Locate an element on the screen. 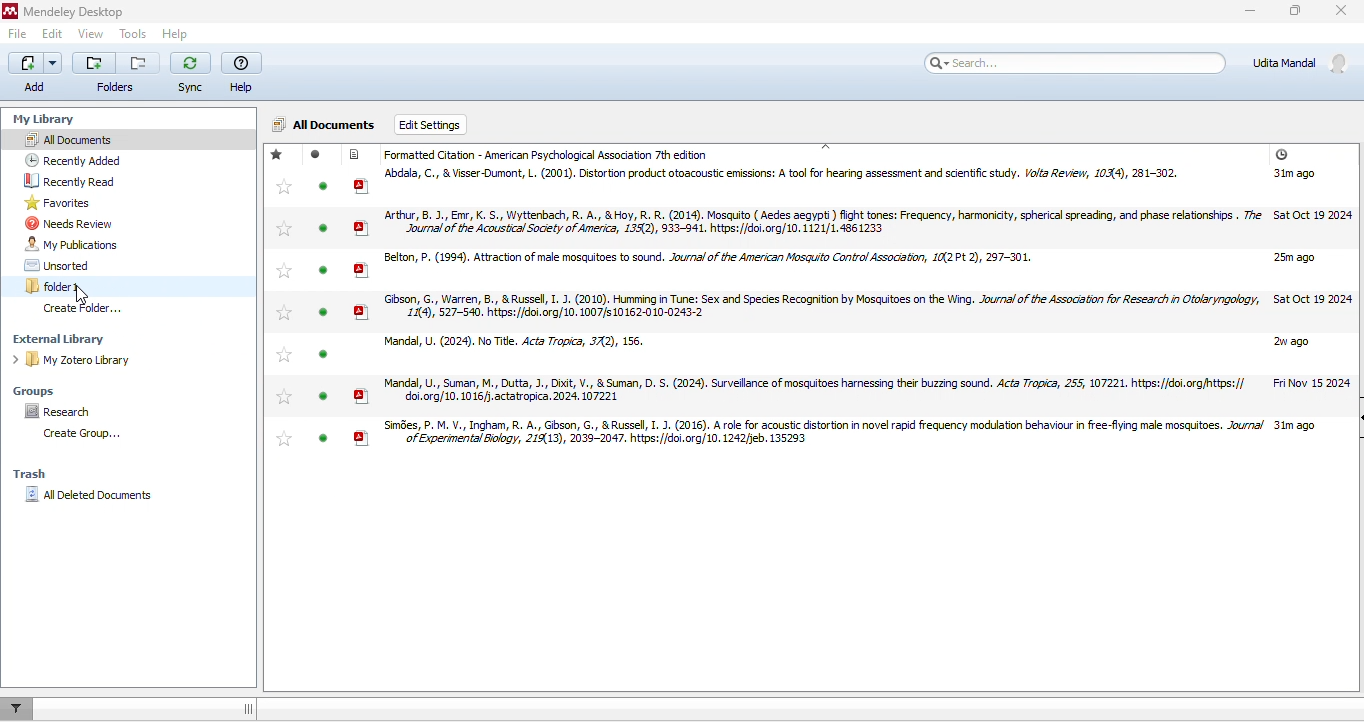  read / unread is located at coordinates (322, 295).